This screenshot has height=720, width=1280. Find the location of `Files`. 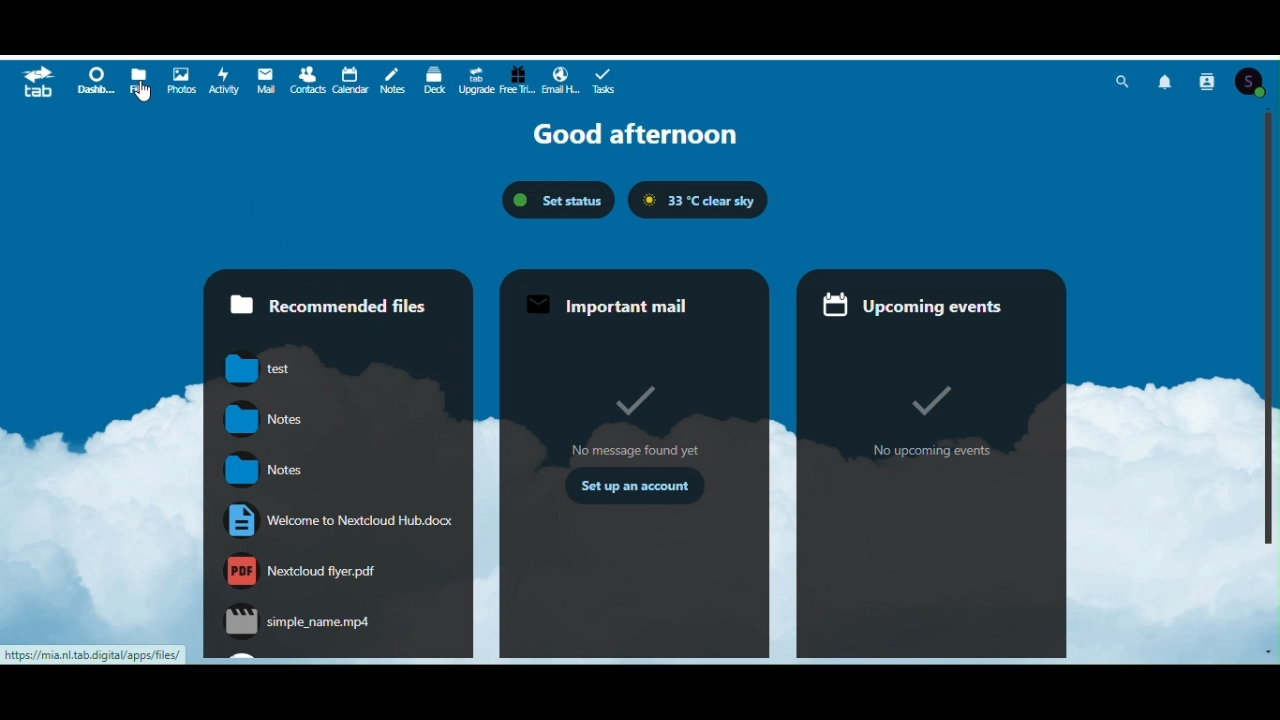

Files is located at coordinates (141, 79).